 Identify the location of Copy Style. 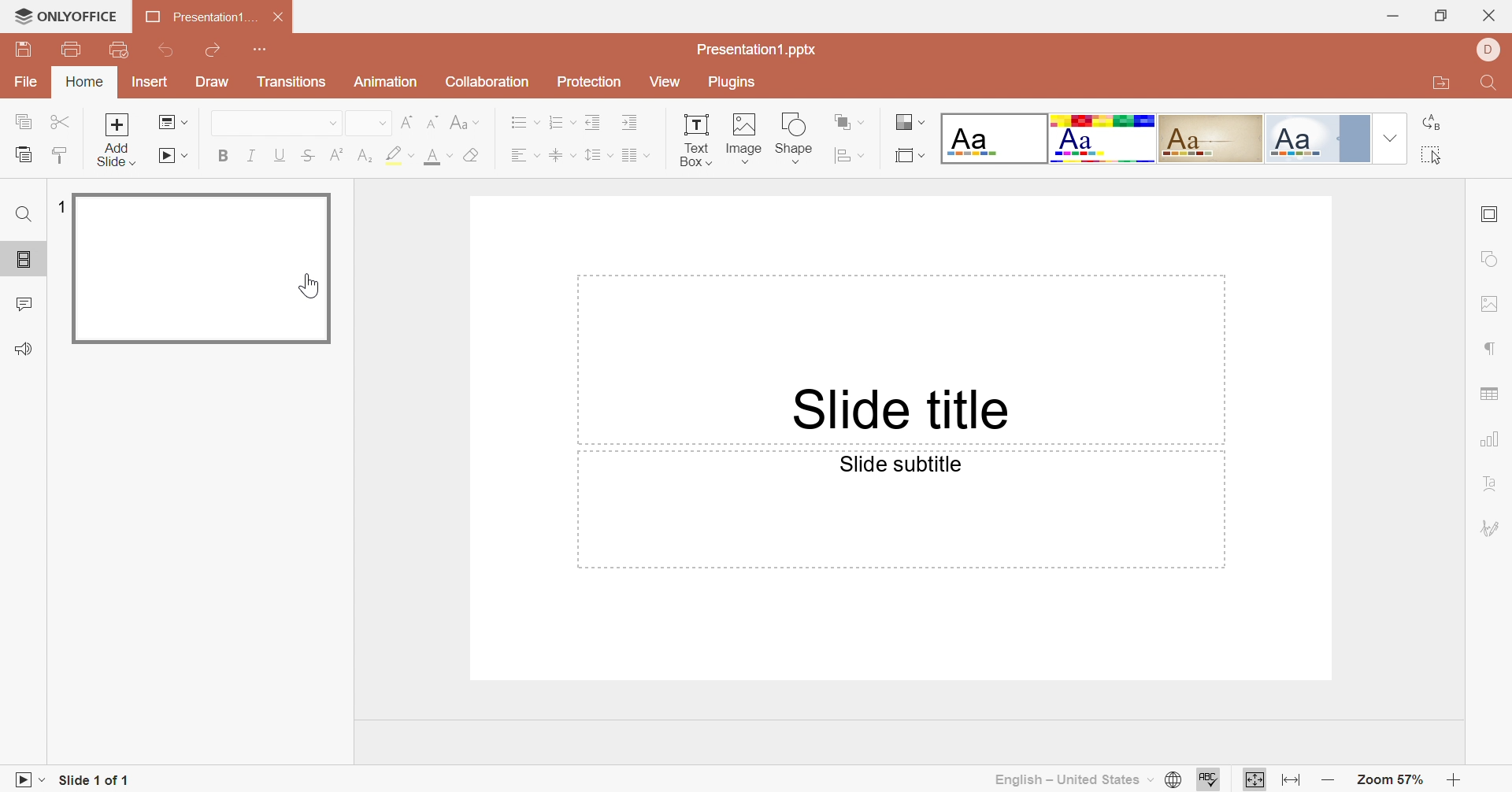
(61, 154).